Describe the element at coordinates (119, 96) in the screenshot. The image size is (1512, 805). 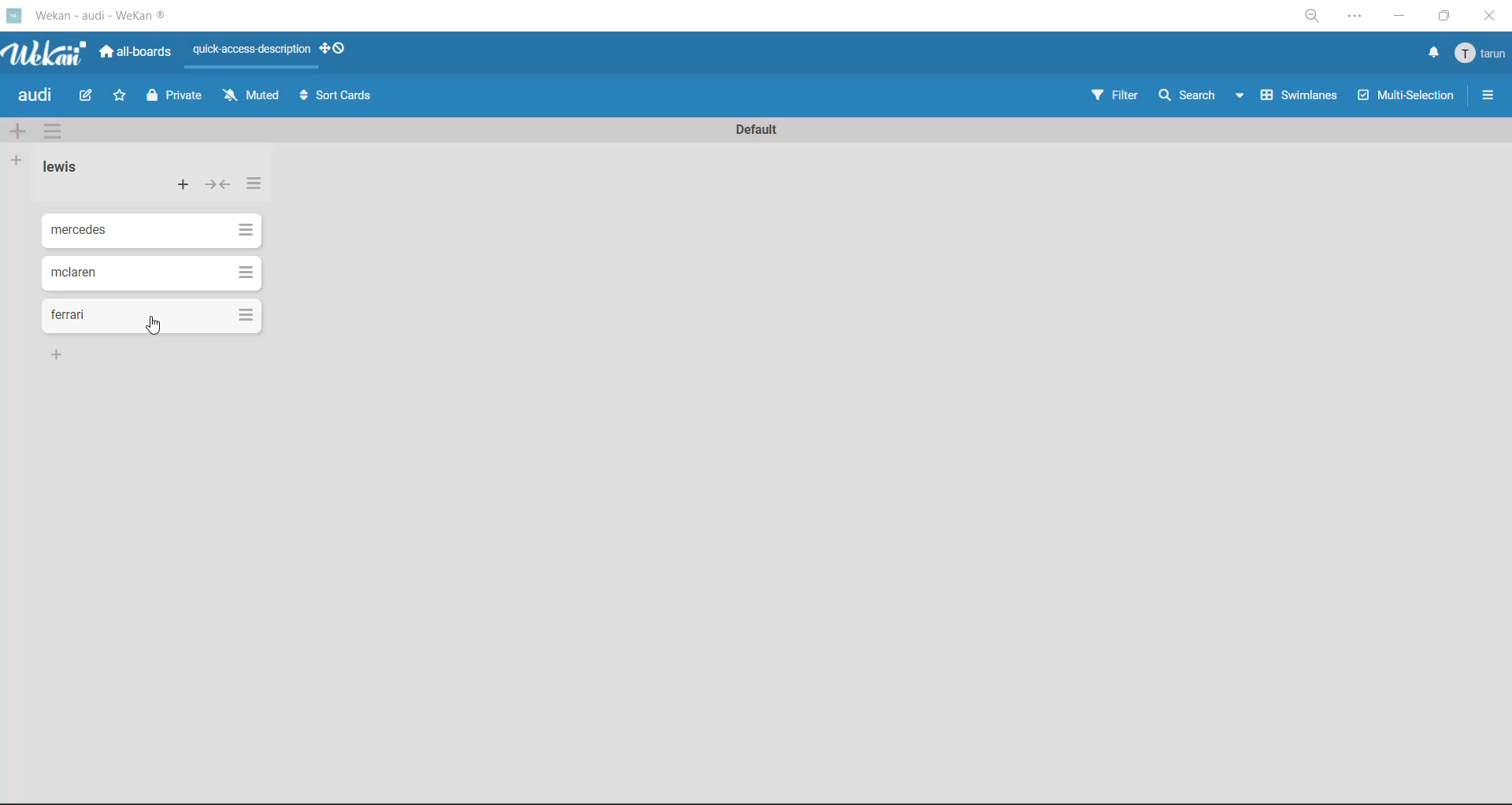
I see `star` at that location.